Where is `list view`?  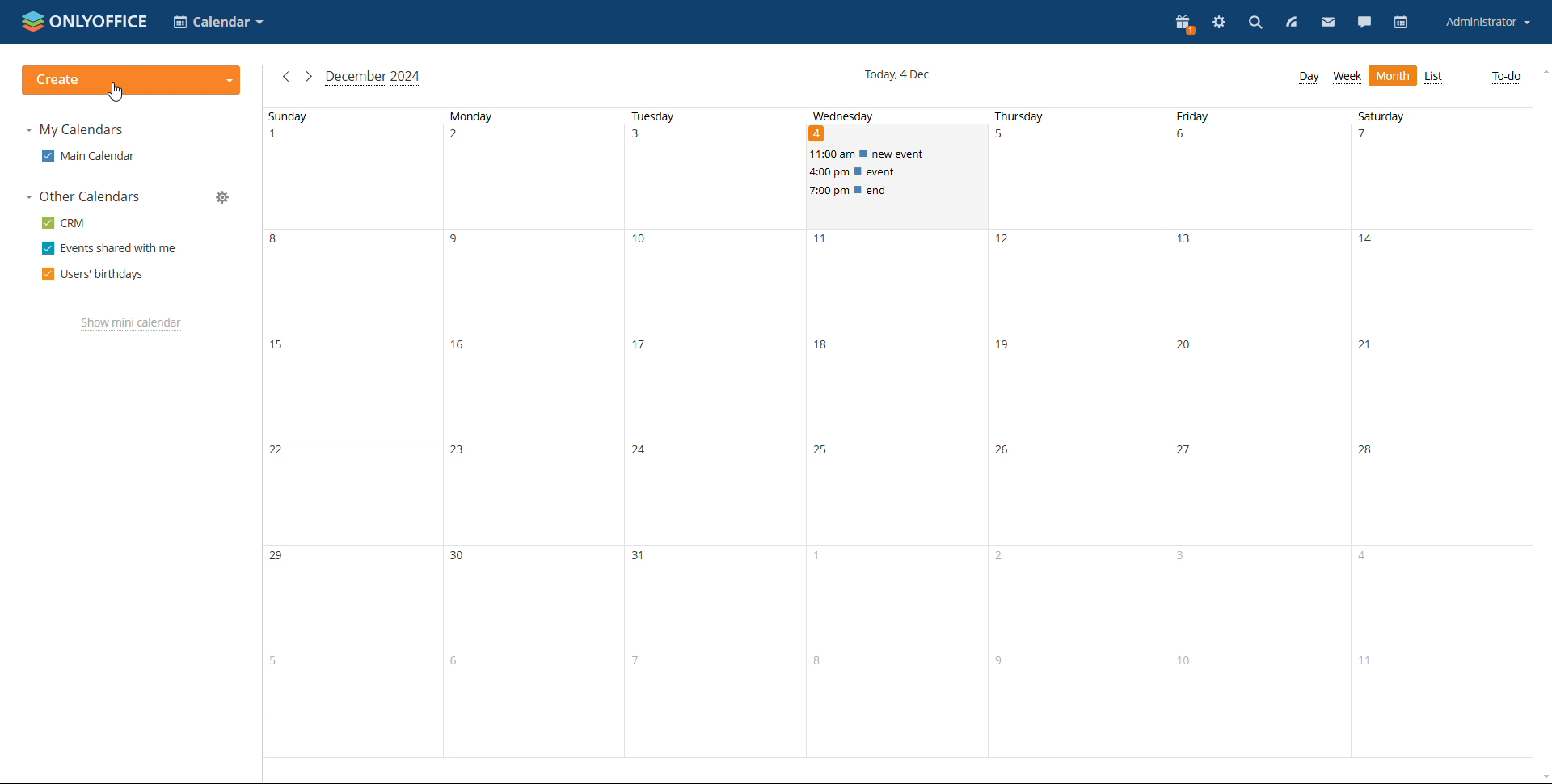 list view is located at coordinates (1435, 78).